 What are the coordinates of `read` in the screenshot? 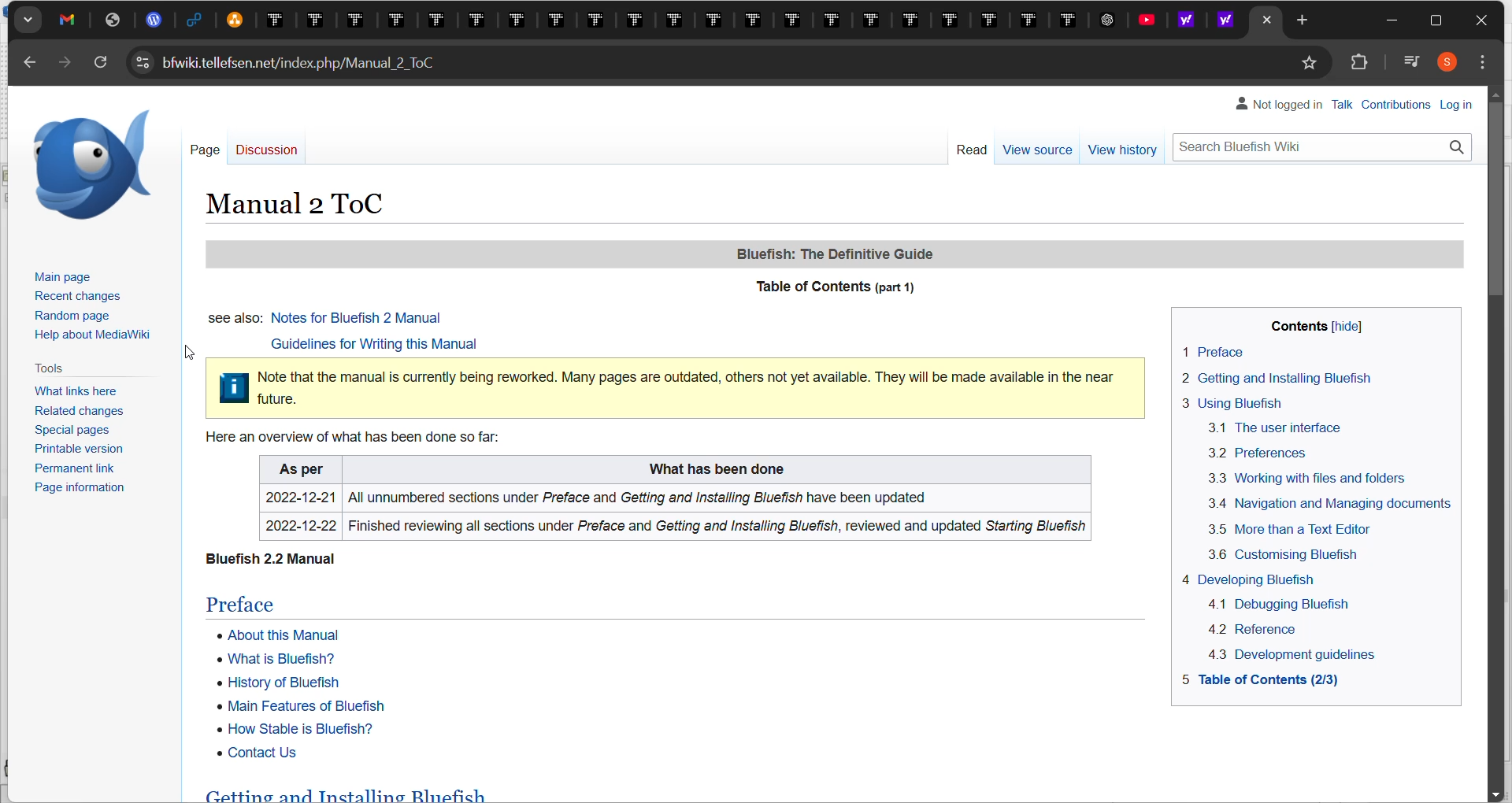 It's located at (967, 151).